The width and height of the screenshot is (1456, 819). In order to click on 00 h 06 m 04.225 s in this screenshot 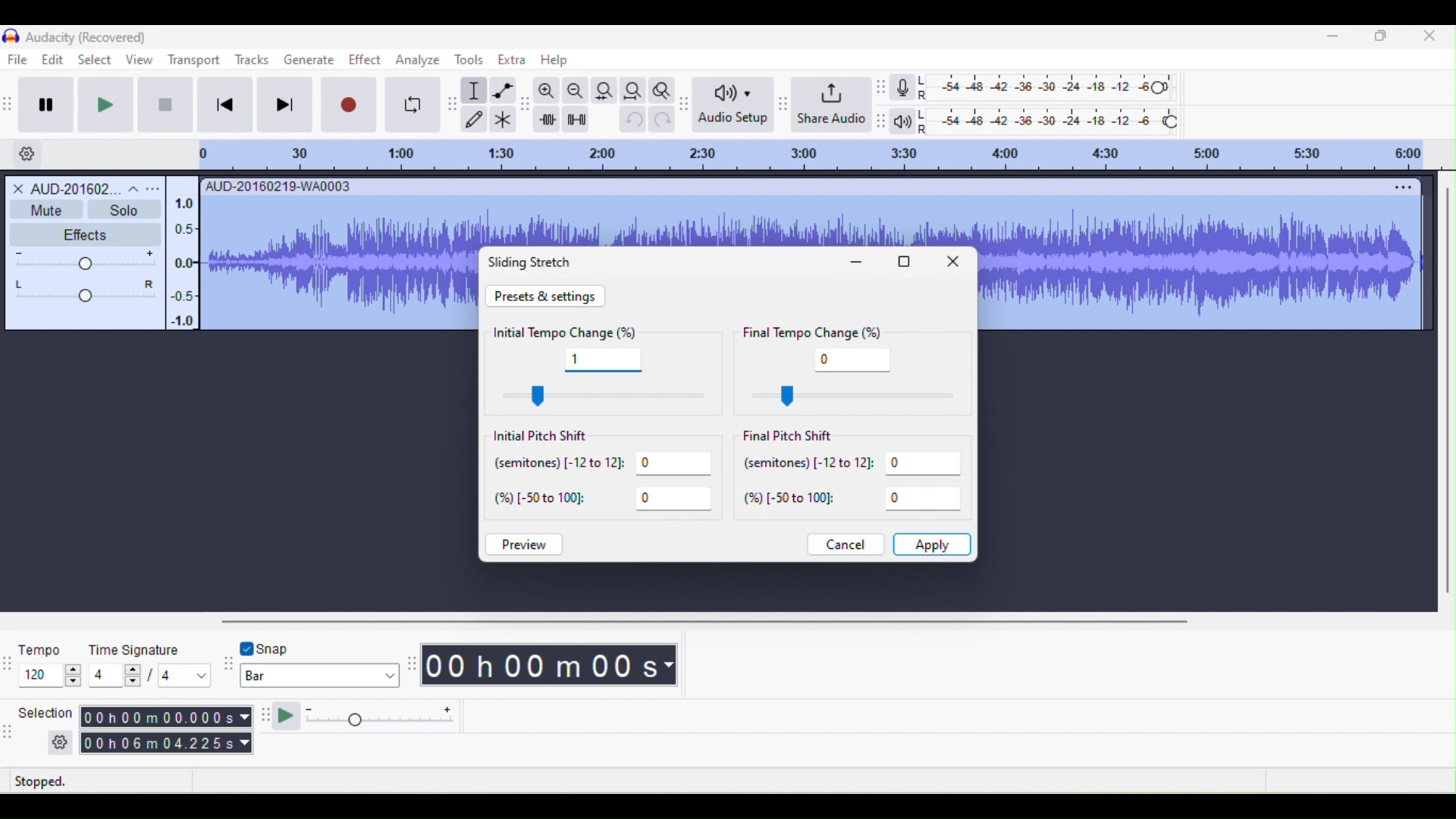, I will do `click(166, 745)`.